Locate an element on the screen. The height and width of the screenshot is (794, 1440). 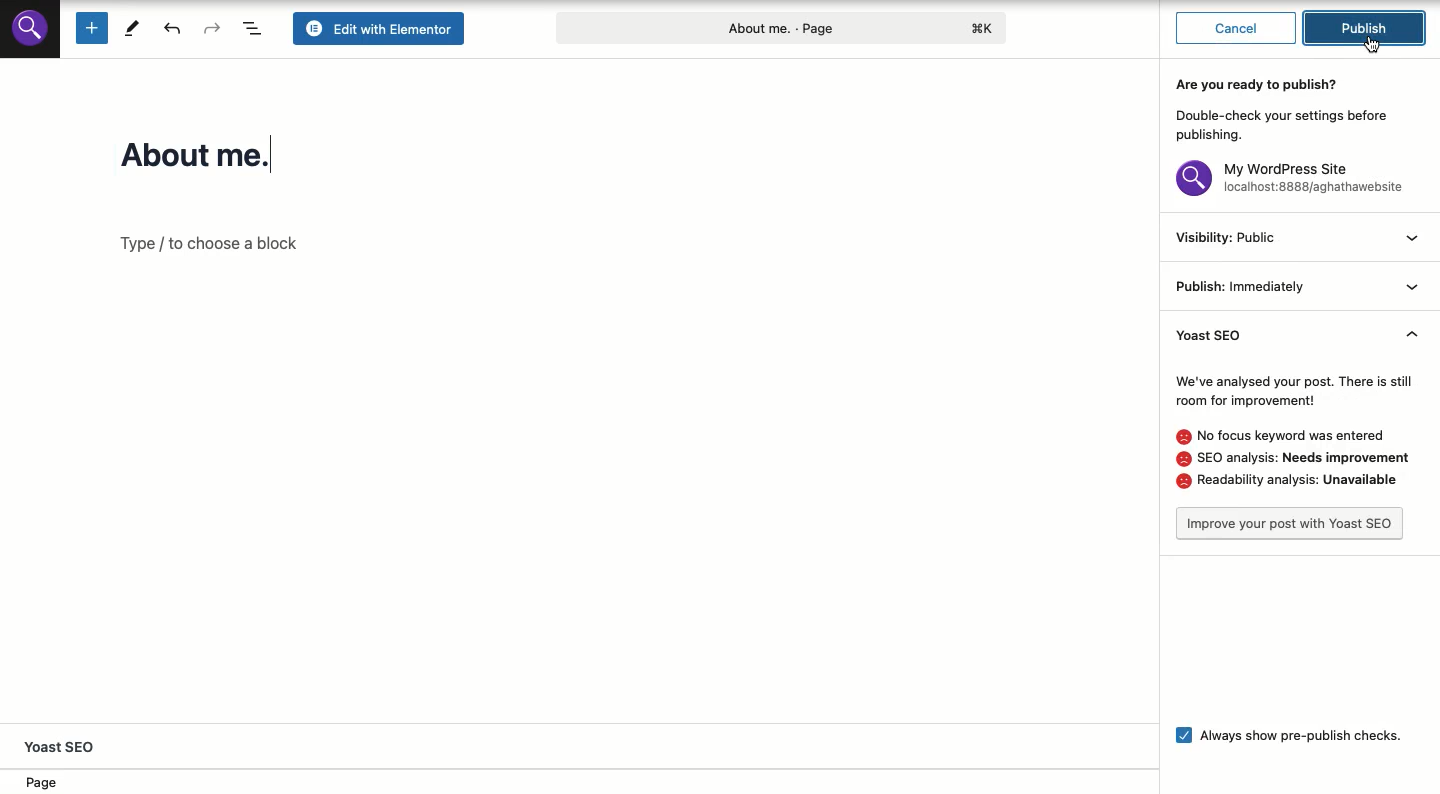
Are you ready to publish?
Double-check your settings before
publishing. is located at coordinates (1289, 108).